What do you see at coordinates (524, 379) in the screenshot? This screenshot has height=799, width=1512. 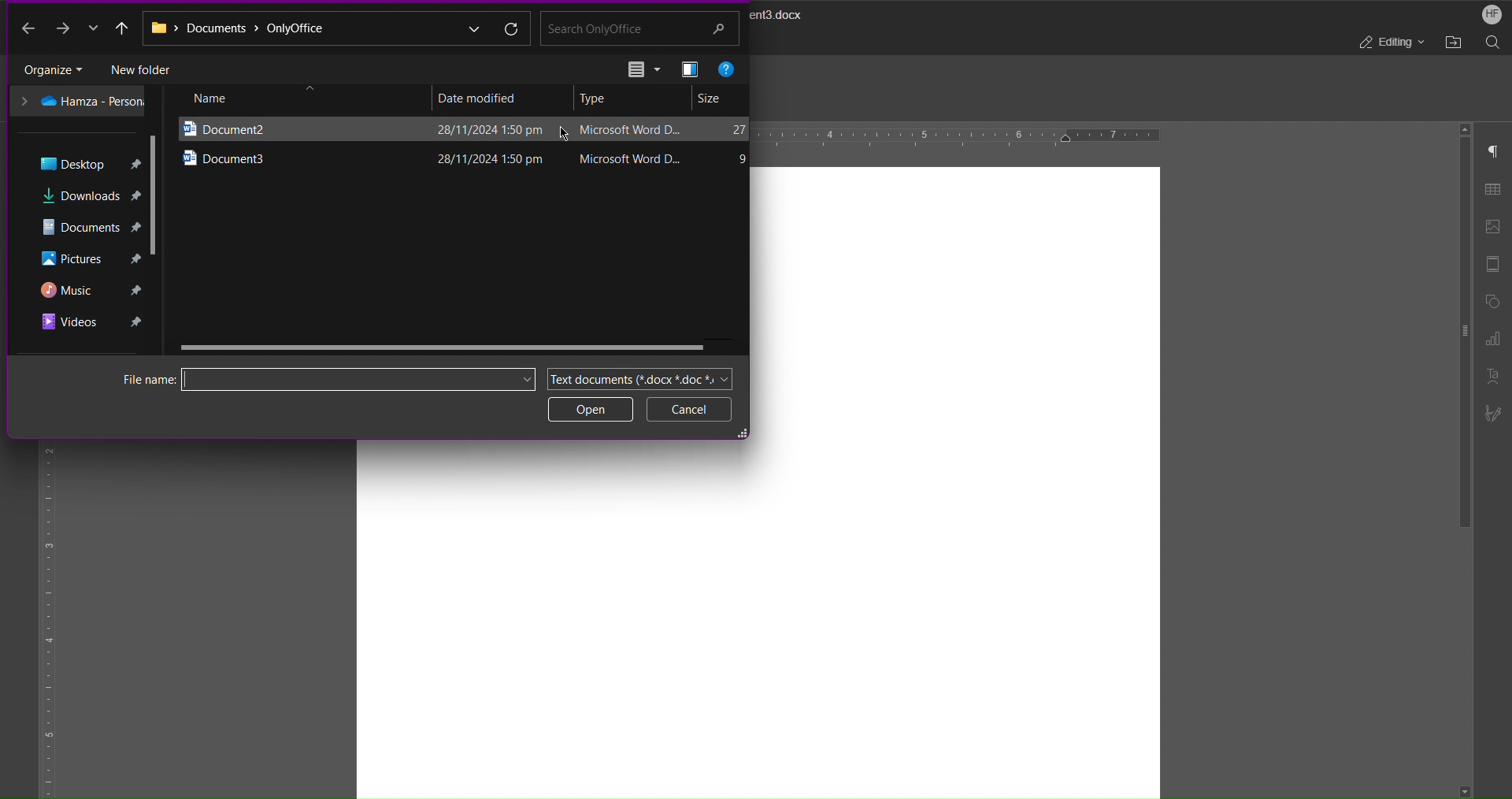 I see `More files names` at bounding box center [524, 379].